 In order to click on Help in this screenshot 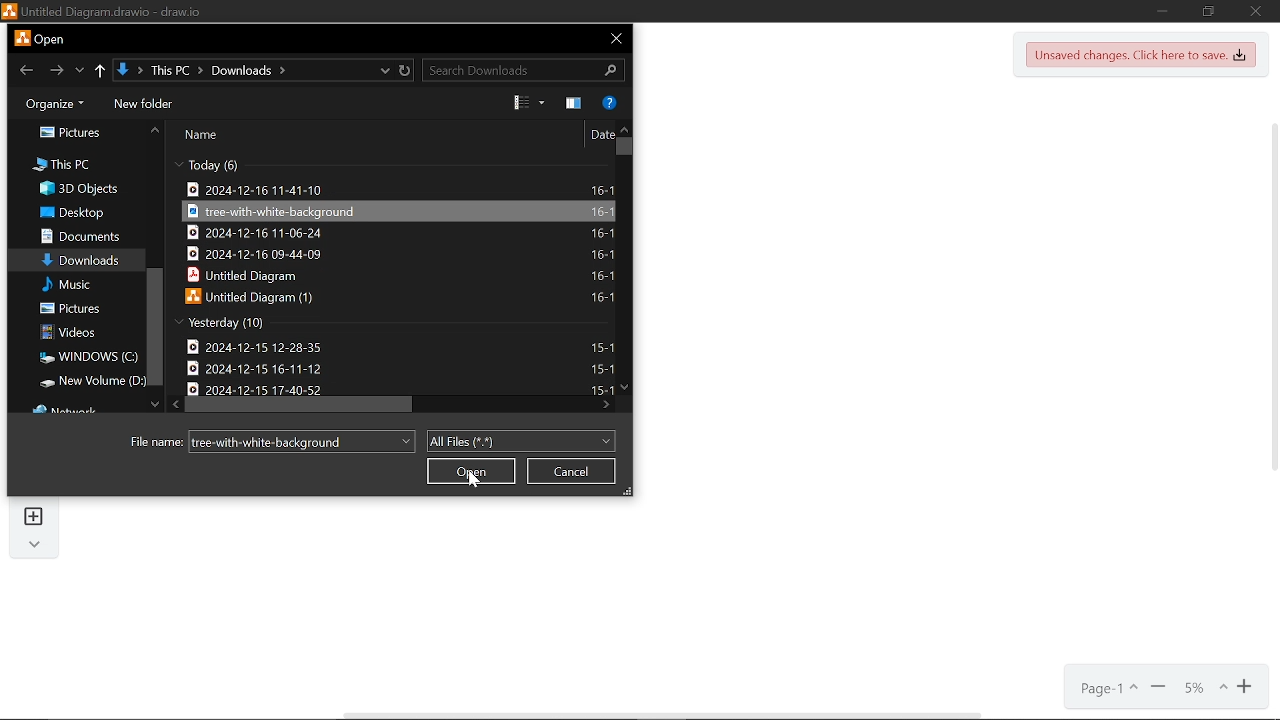, I will do `click(612, 103)`.